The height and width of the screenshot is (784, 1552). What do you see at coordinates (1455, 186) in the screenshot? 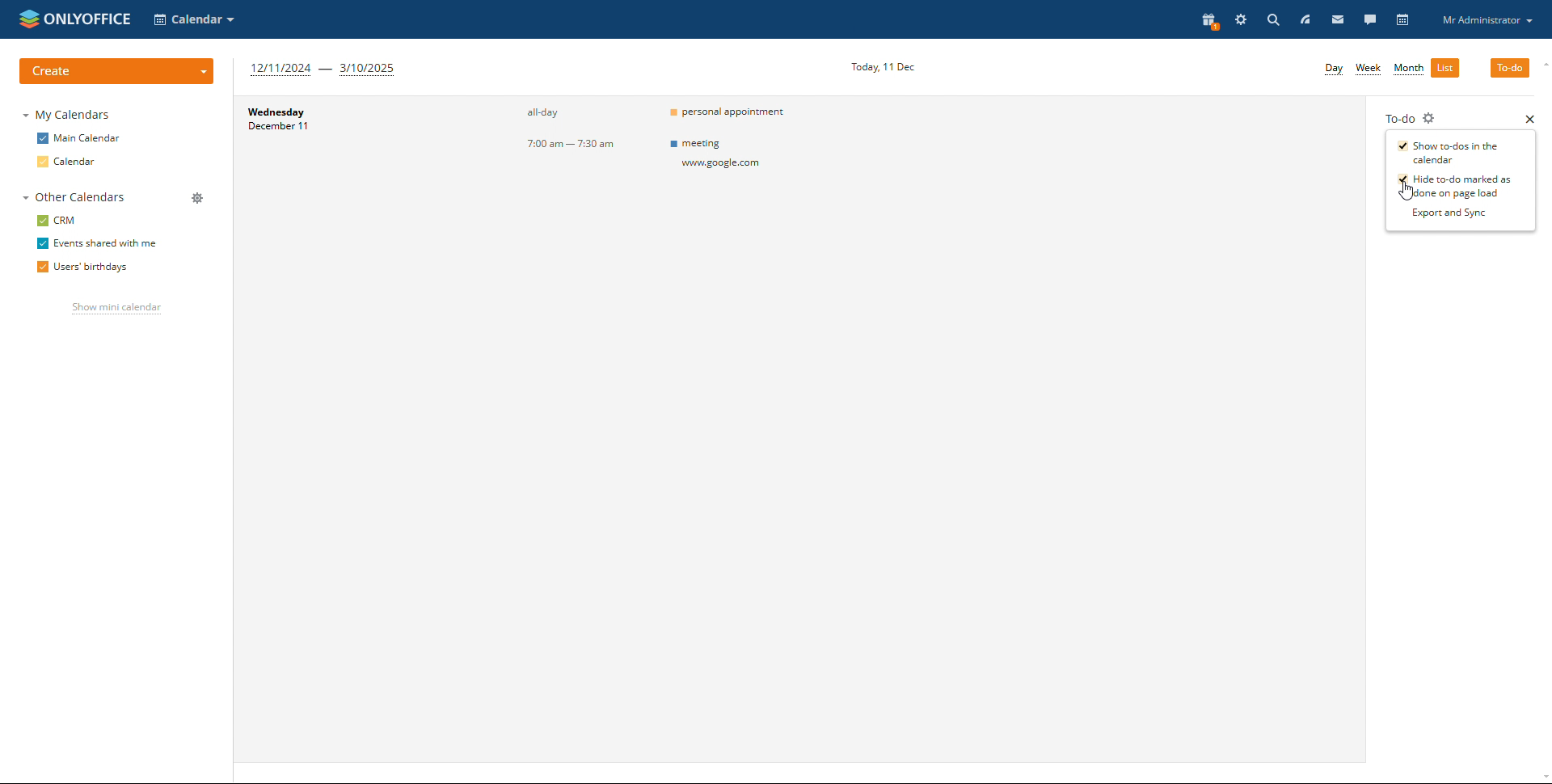
I see `hide to-do marked as done one page load` at bounding box center [1455, 186].